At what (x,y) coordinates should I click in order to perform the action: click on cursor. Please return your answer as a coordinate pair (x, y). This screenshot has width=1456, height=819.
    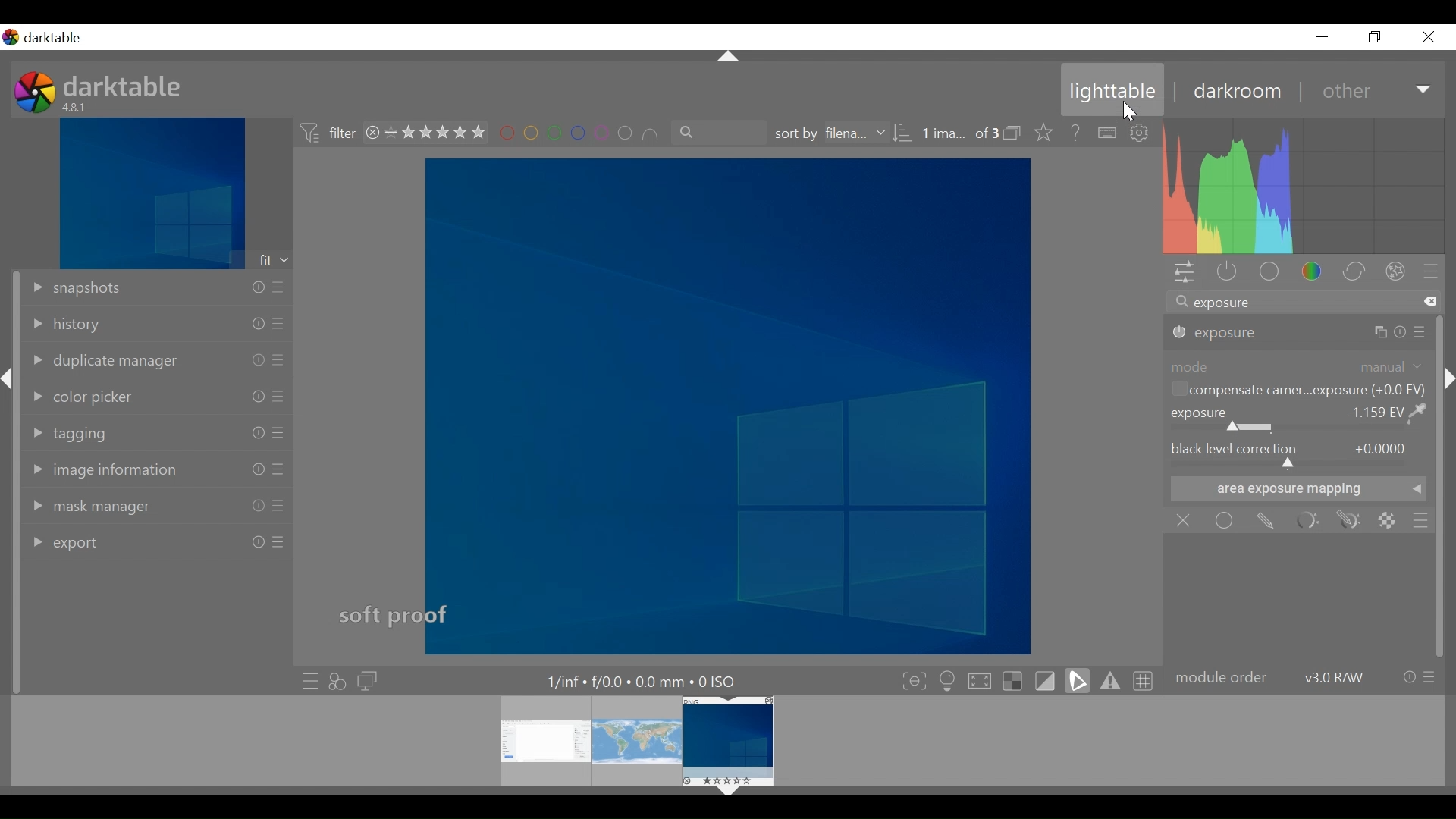
    Looking at the image, I should click on (1131, 111).